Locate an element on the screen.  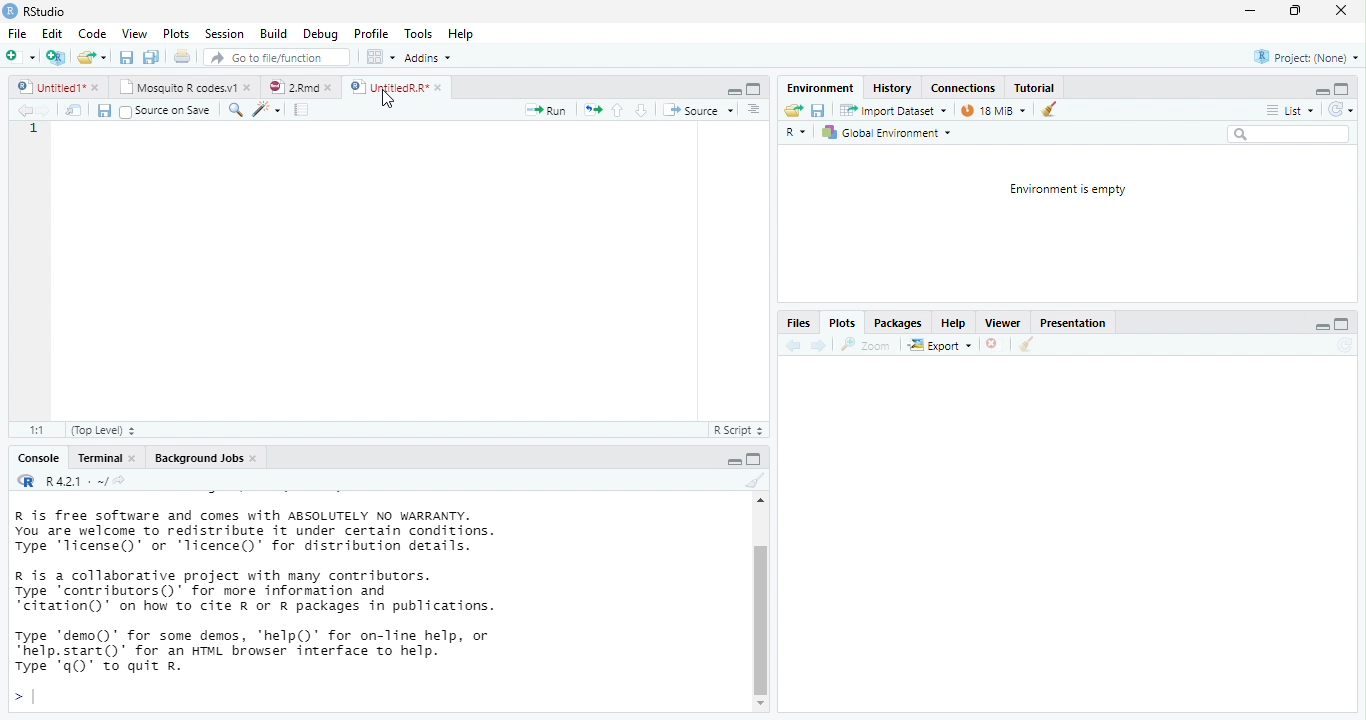
close is located at coordinates (995, 346).